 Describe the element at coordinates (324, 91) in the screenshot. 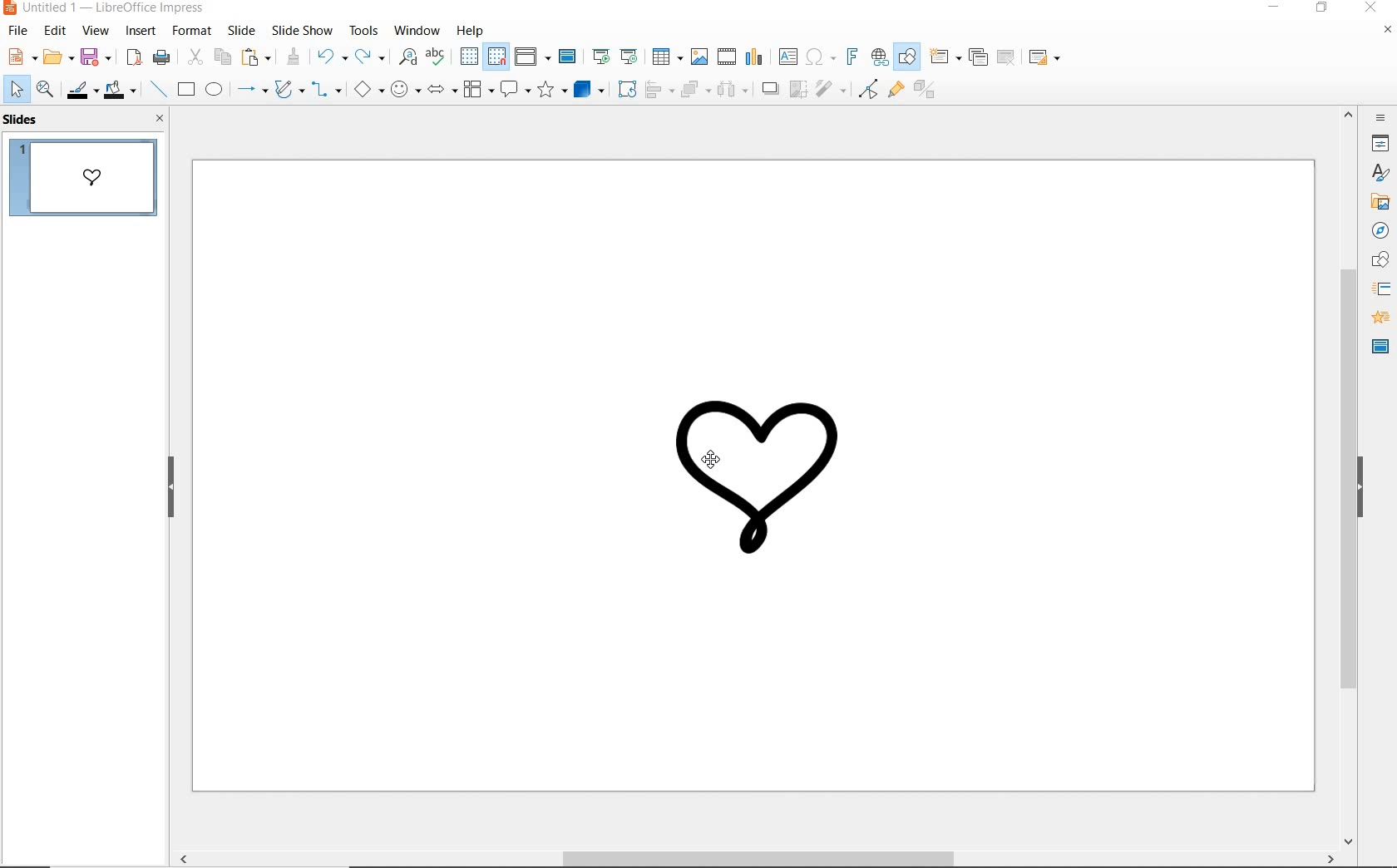

I see `connectors` at that location.